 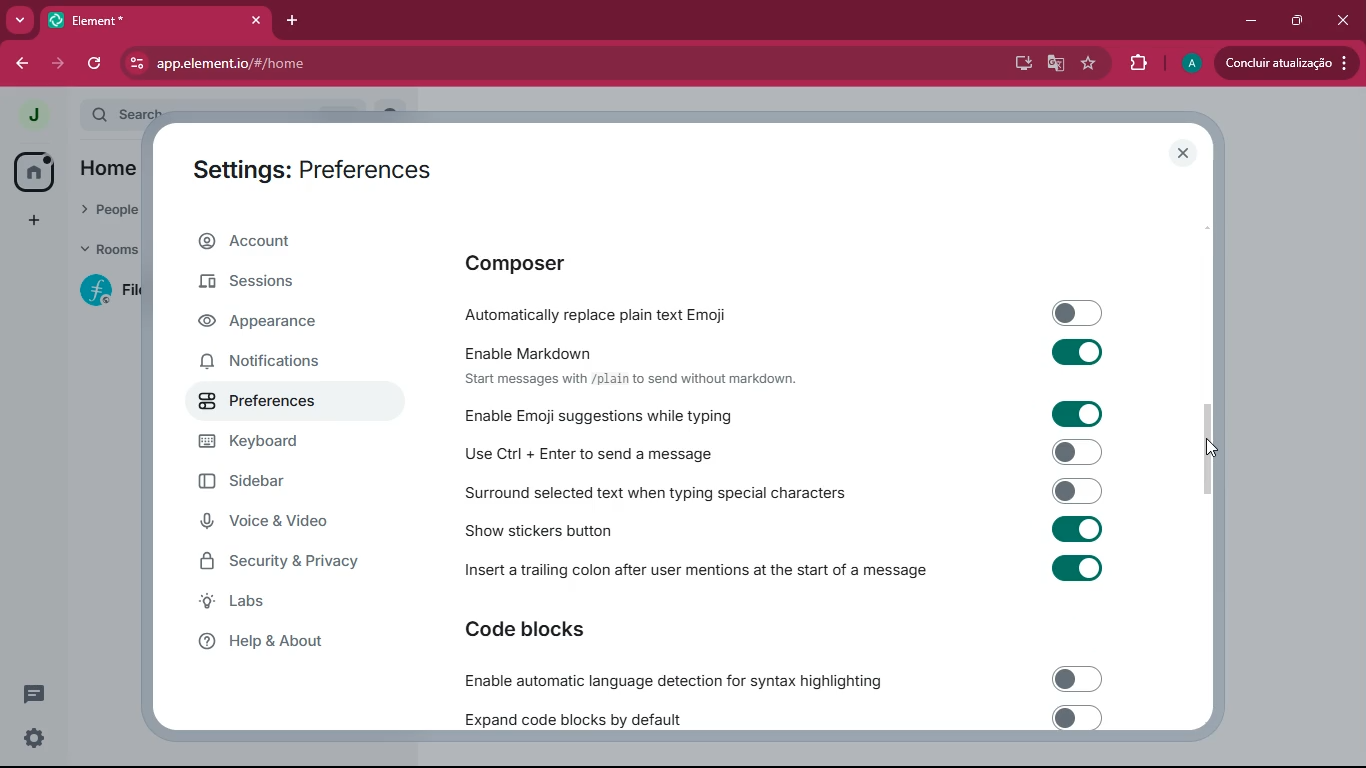 What do you see at coordinates (155, 22) in the screenshot?
I see `element` at bounding box center [155, 22].